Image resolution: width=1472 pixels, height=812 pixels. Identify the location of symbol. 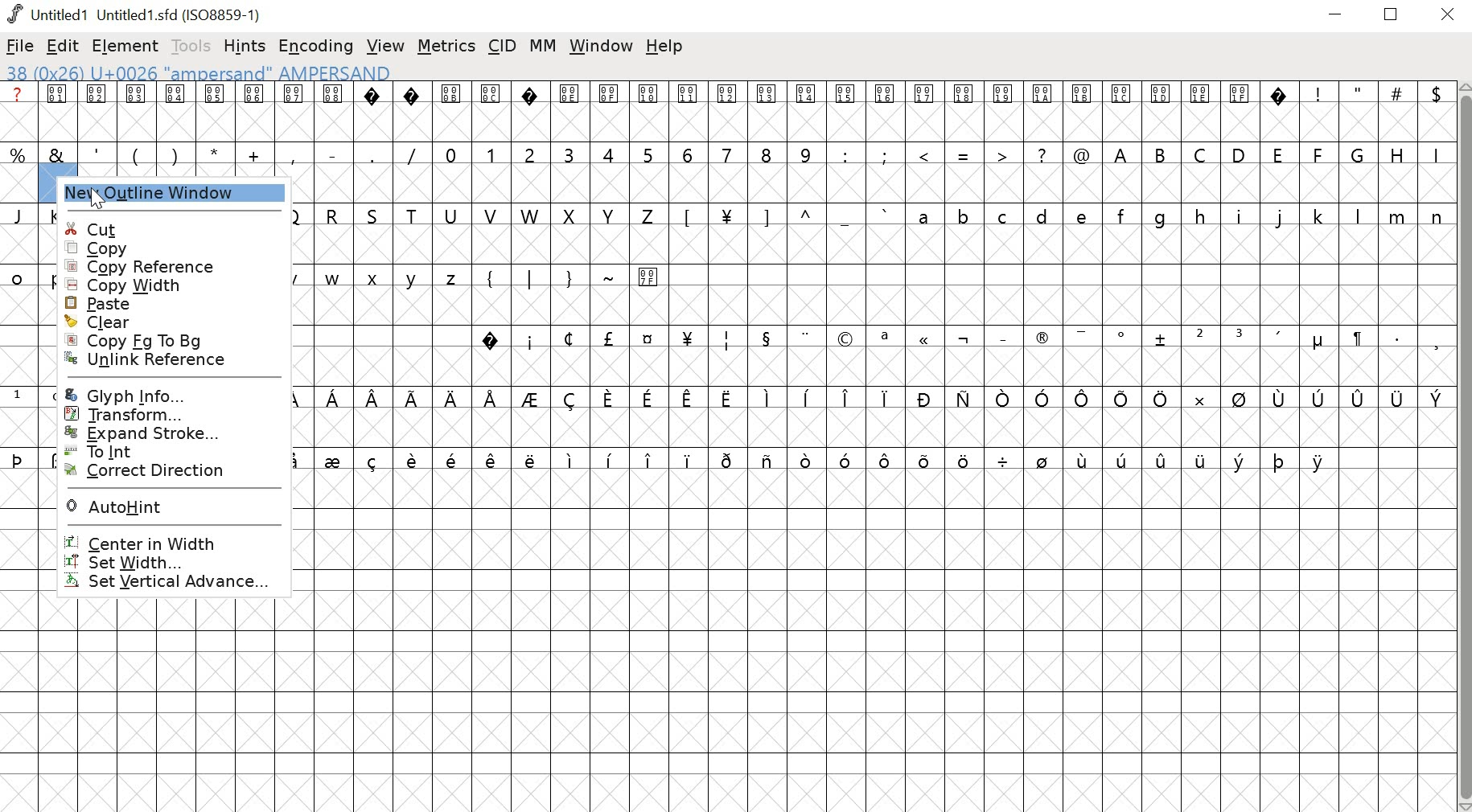
(1240, 459).